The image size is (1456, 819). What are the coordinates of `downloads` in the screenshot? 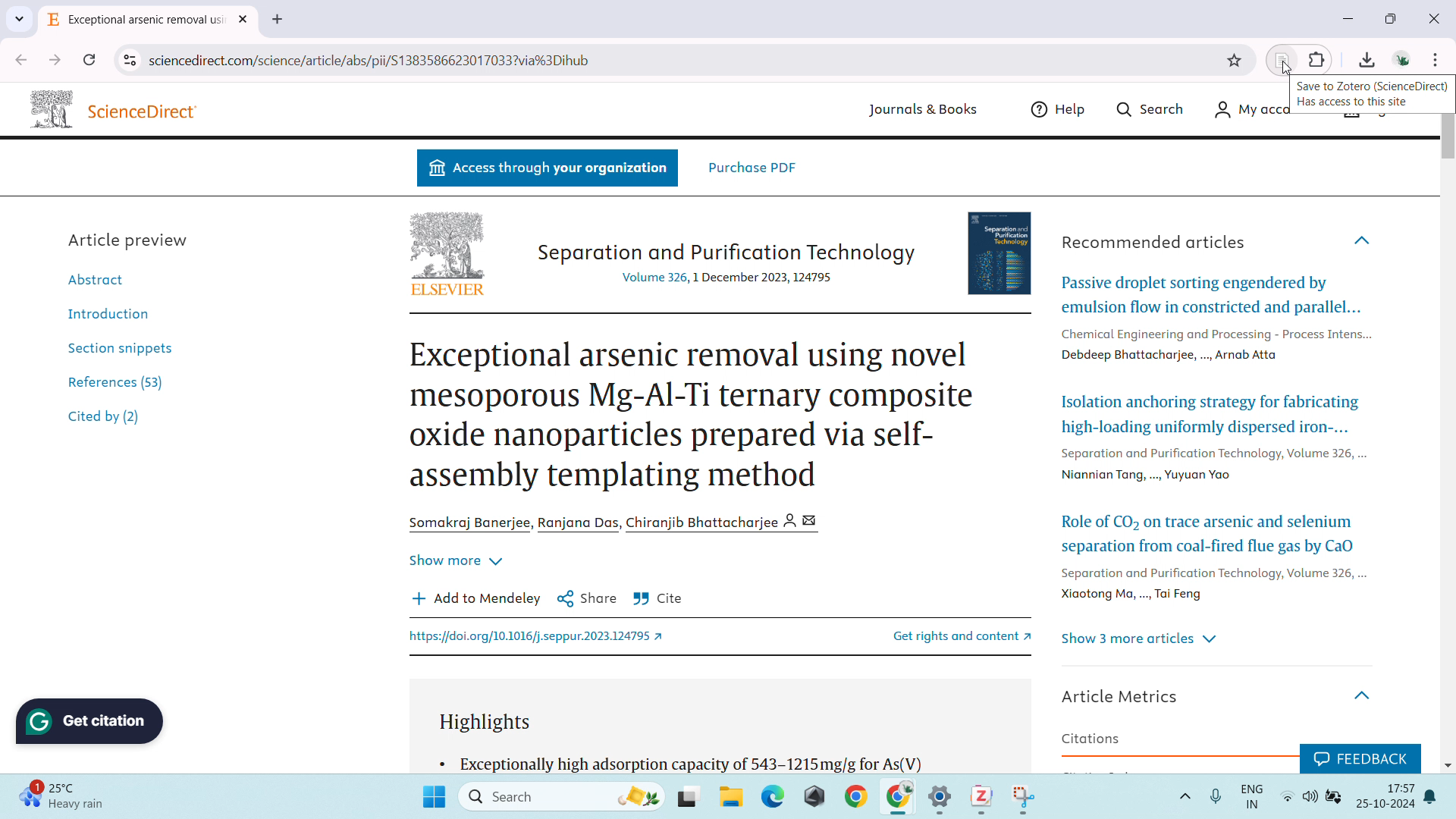 It's located at (1367, 58).